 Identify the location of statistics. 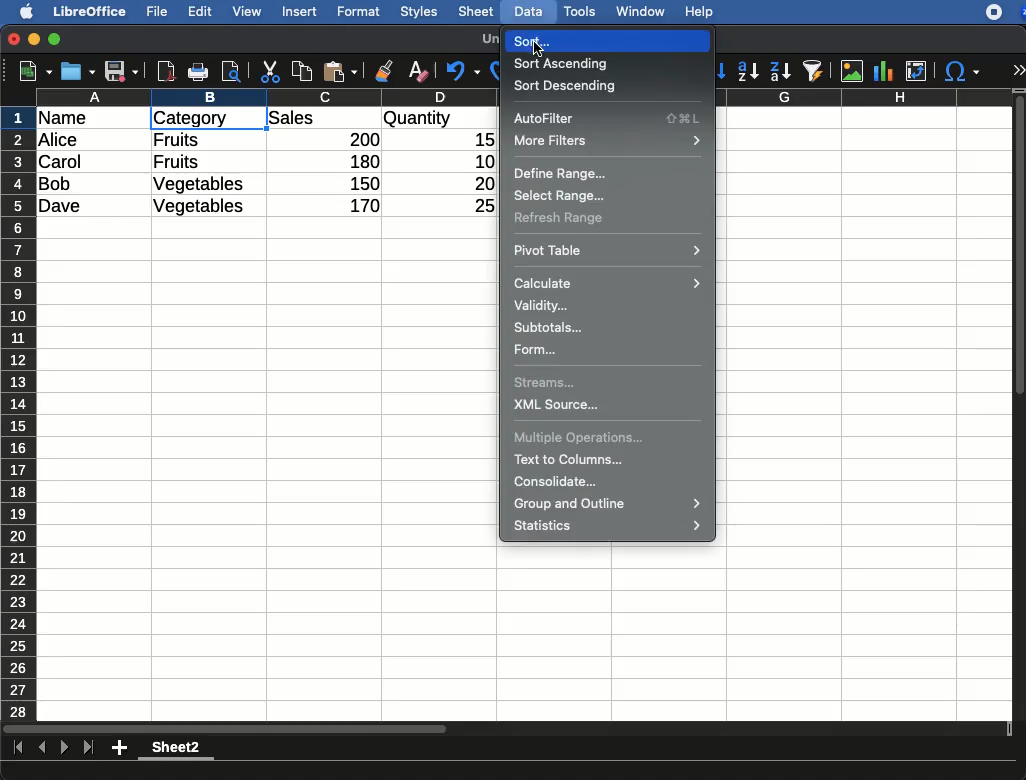
(611, 527).